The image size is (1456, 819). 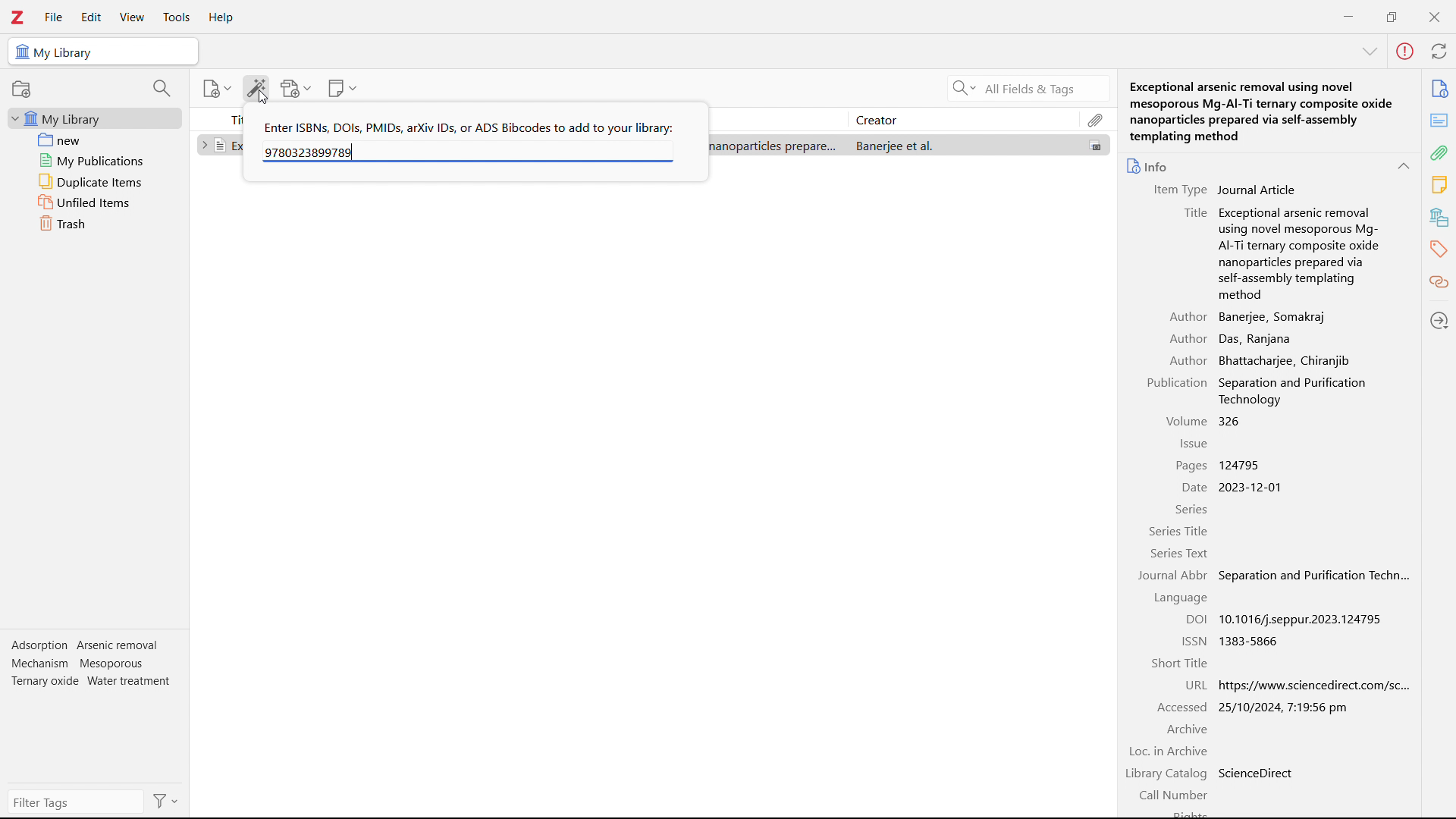 I want to click on filter tags, so click(x=77, y=802).